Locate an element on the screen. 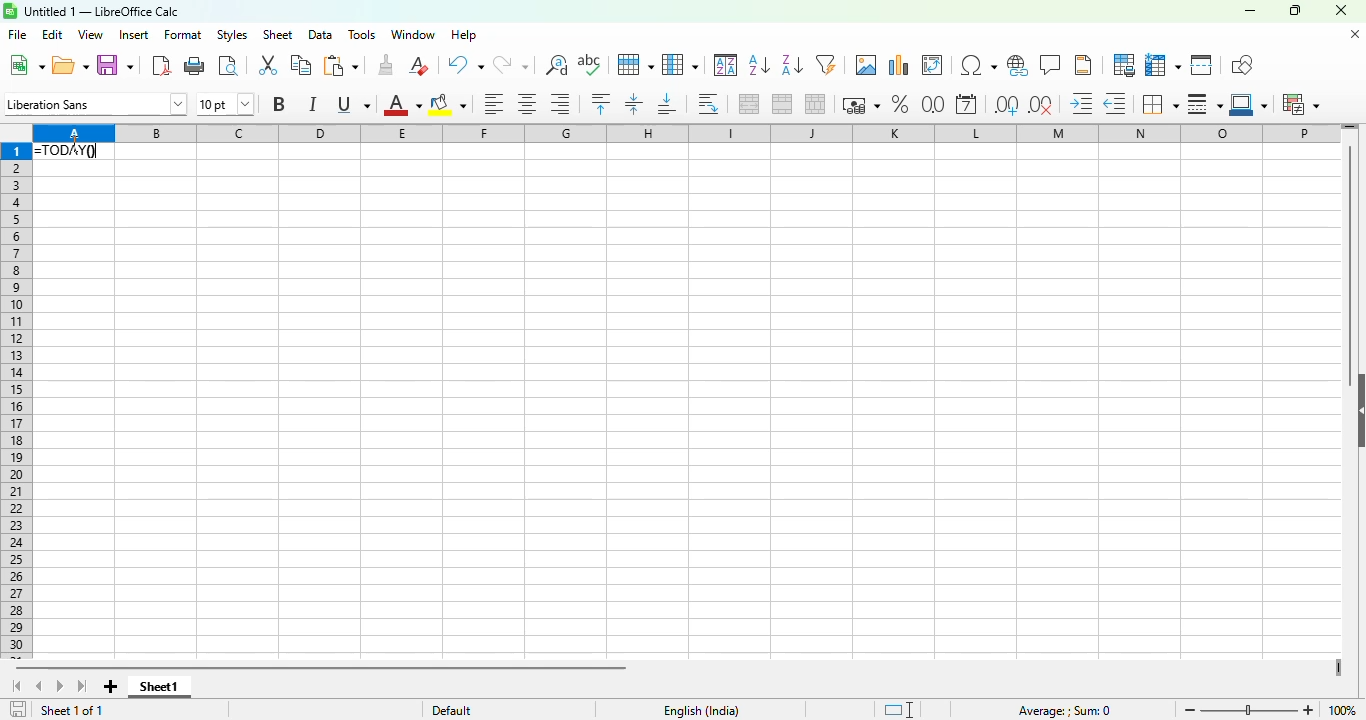 This screenshot has height=720, width=1366. increase indent is located at coordinates (1082, 104).